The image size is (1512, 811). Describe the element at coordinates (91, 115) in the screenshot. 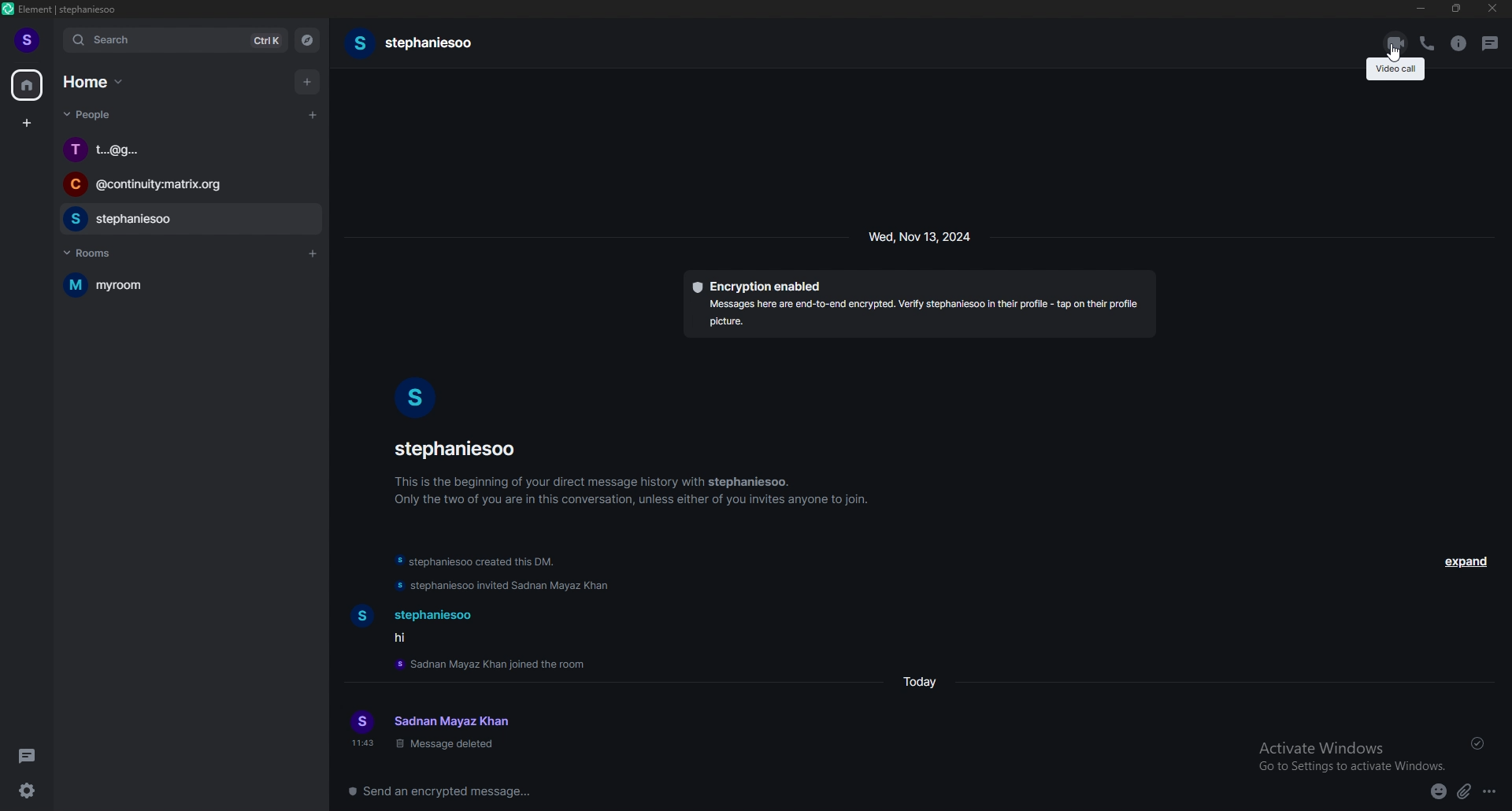

I see `people` at that location.